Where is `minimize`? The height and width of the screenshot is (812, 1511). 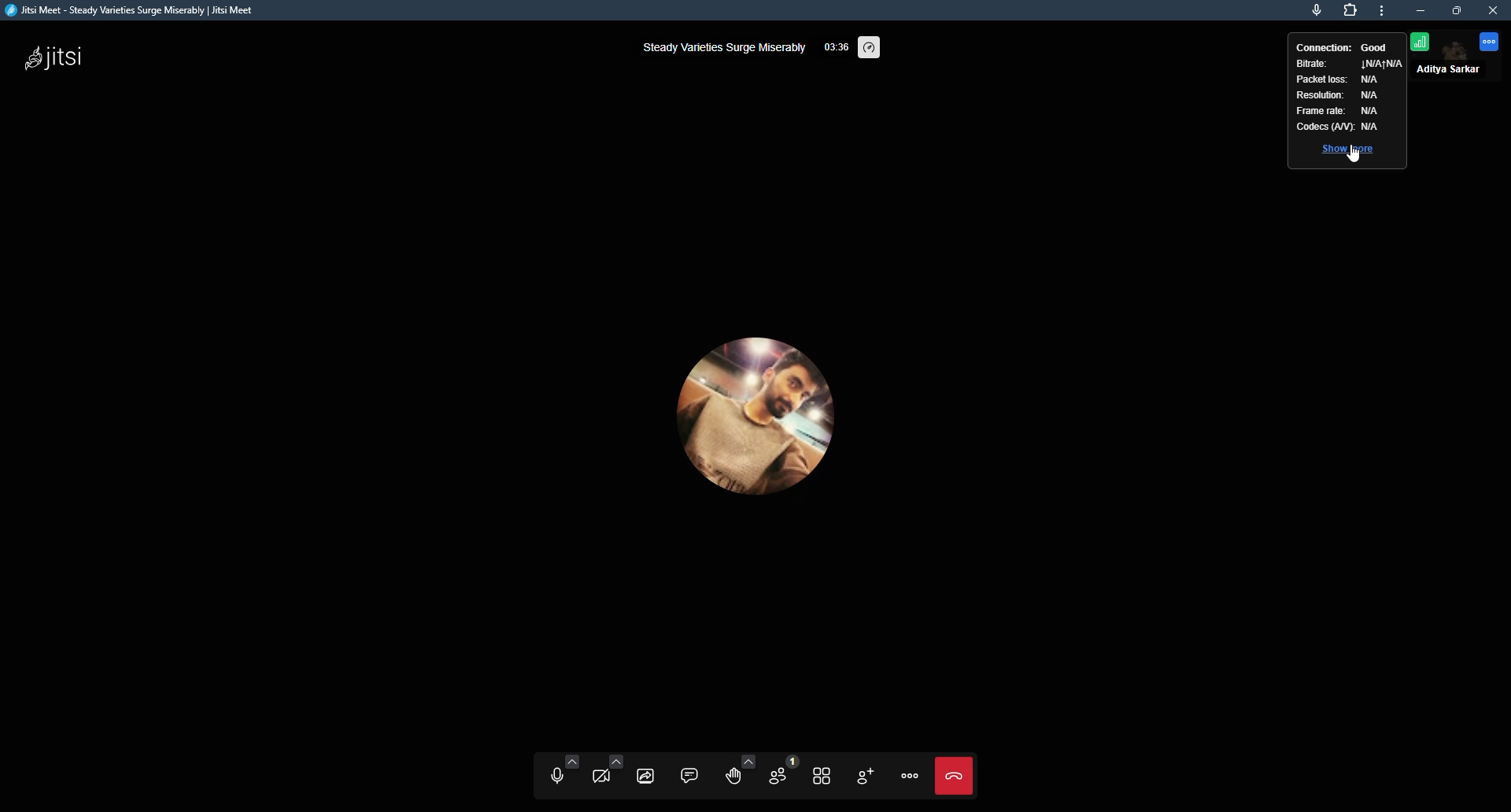 minimize is located at coordinates (1422, 10).